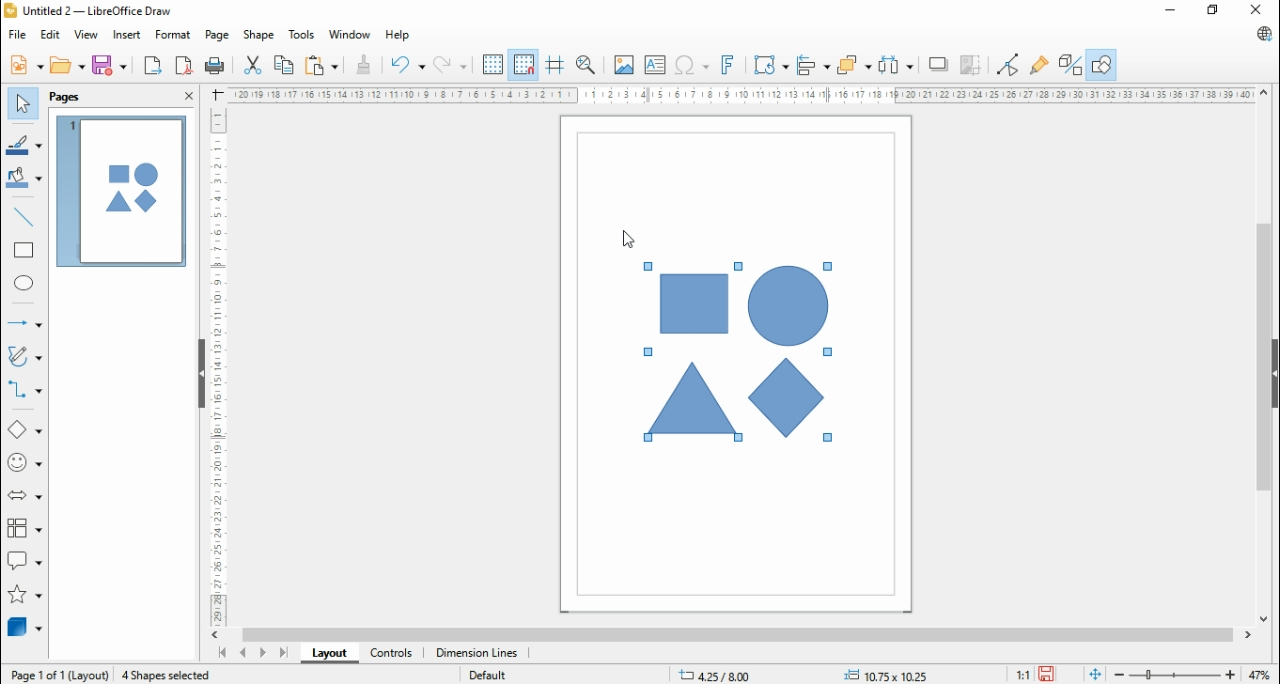  I want to click on page 1, so click(121, 192).